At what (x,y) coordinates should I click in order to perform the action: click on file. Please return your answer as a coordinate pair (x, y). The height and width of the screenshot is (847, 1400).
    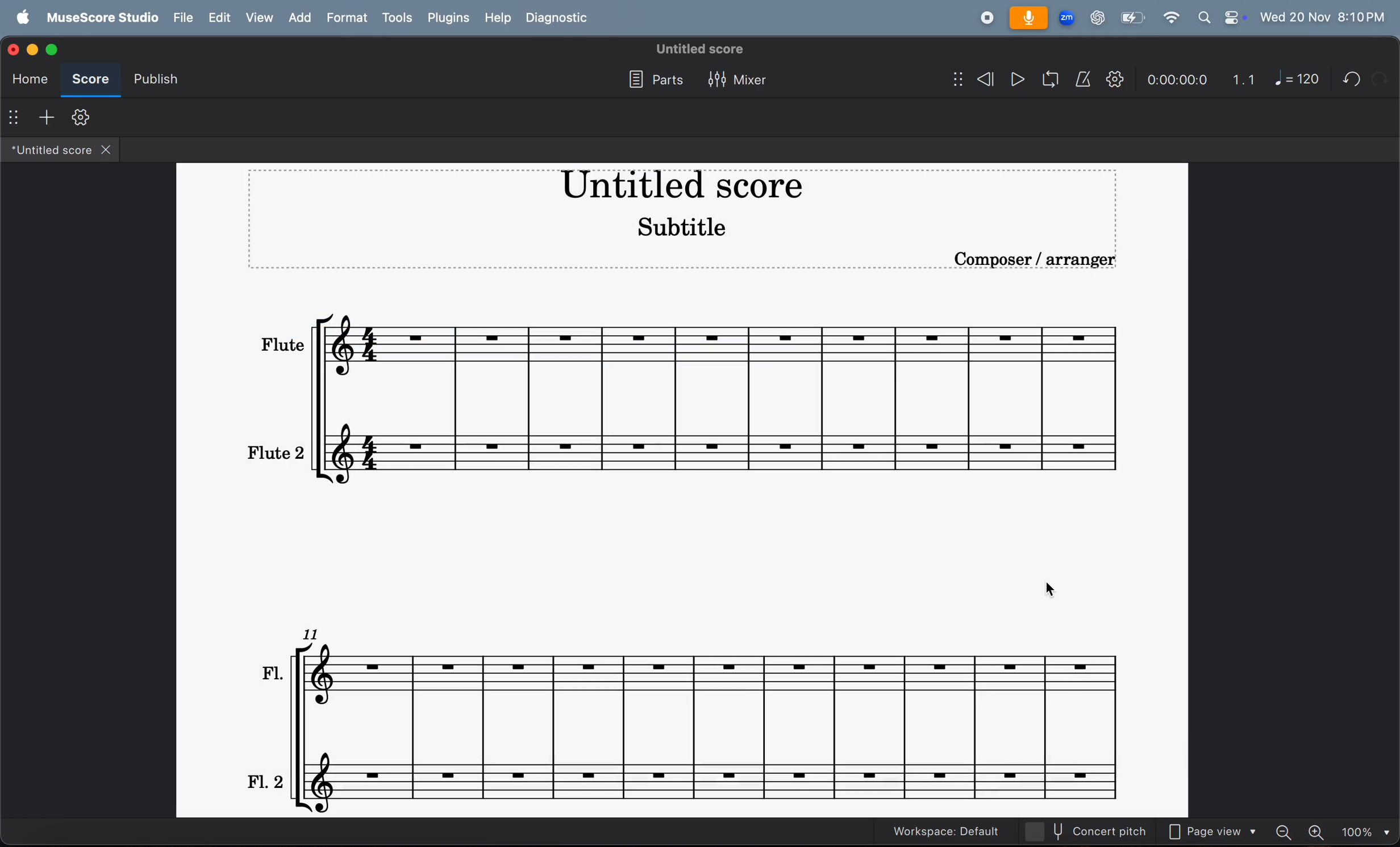
    Looking at the image, I should click on (182, 18).